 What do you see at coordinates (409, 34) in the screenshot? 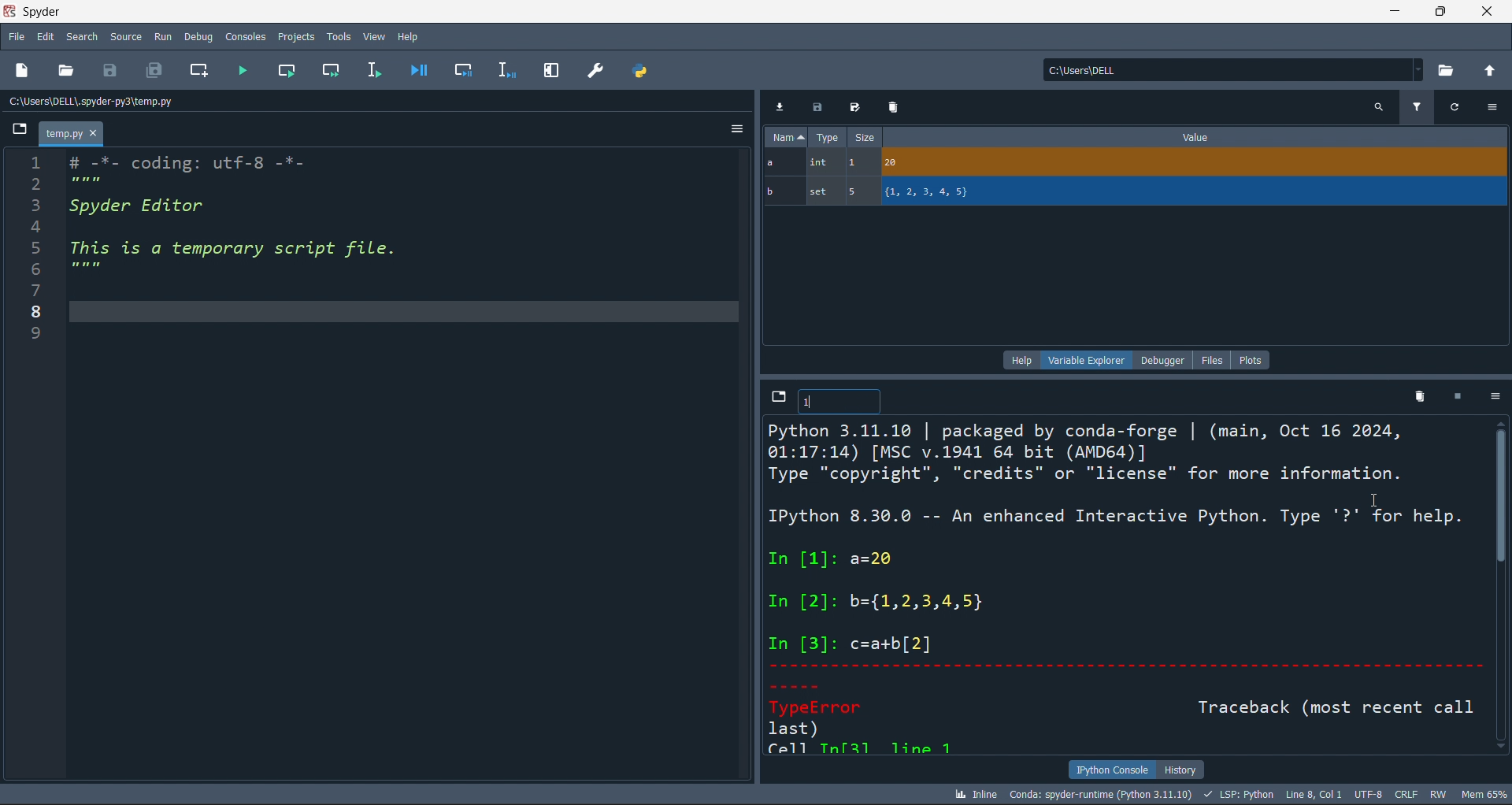
I see `help` at bounding box center [409, 34].